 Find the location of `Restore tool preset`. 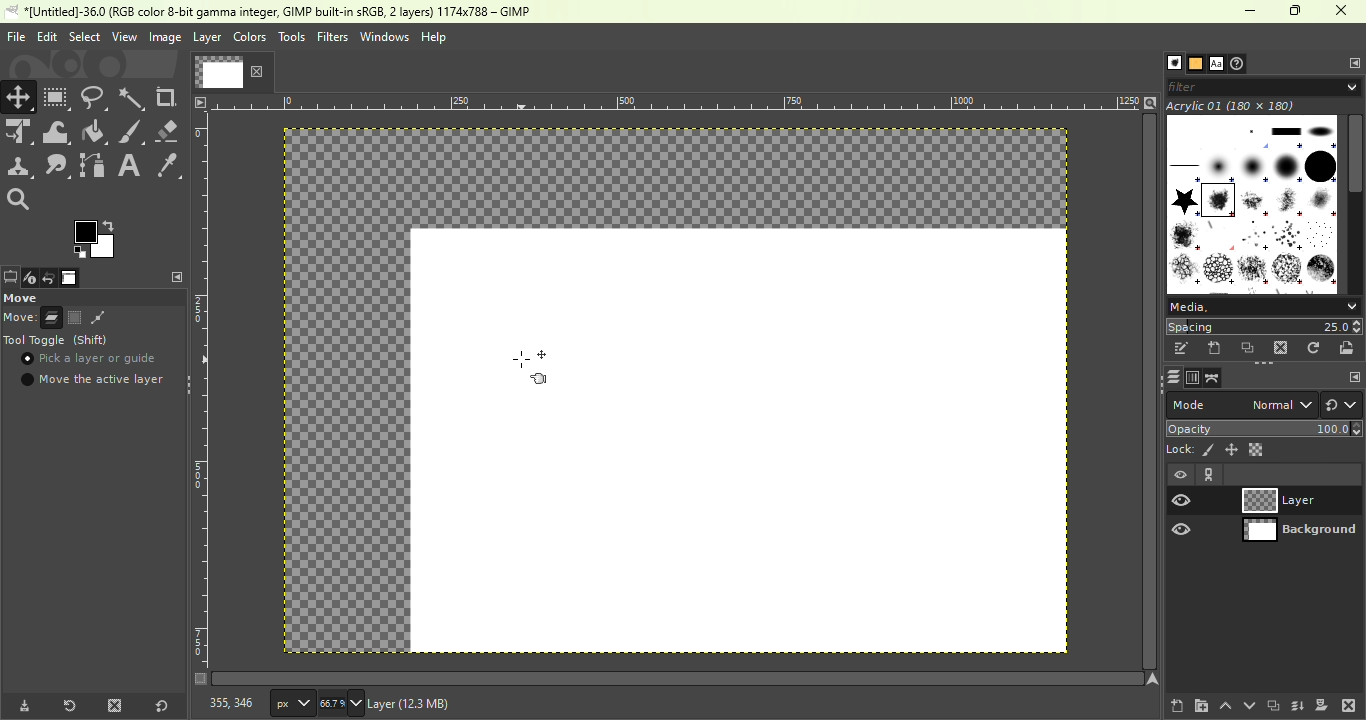

Restore tool preset is located at coordinates (67, 706).